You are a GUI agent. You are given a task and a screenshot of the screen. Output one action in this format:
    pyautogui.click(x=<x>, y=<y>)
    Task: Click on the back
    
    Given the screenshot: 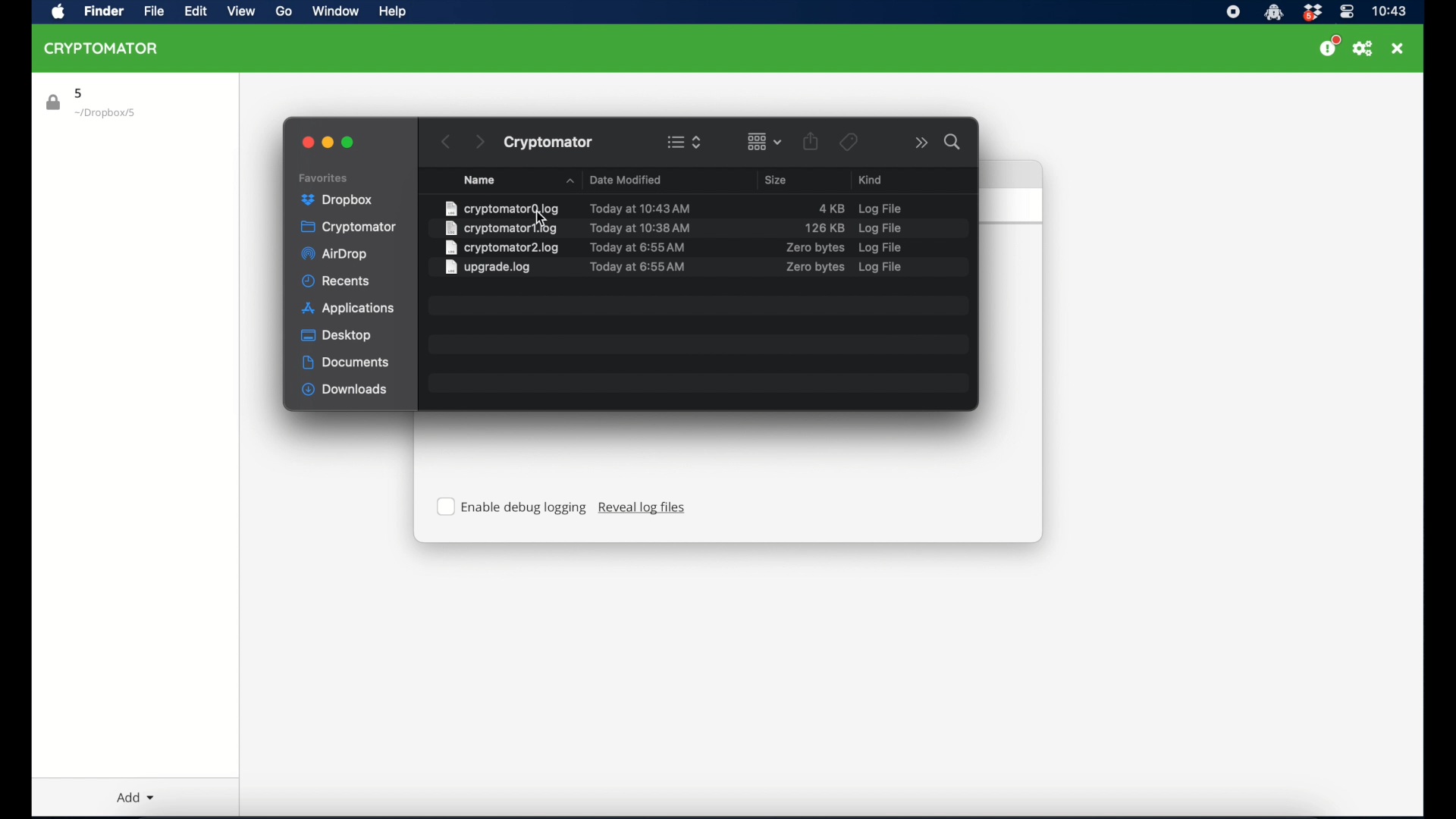 What is the action you would take?
    pyautogui.click(x=446, y=142)
    